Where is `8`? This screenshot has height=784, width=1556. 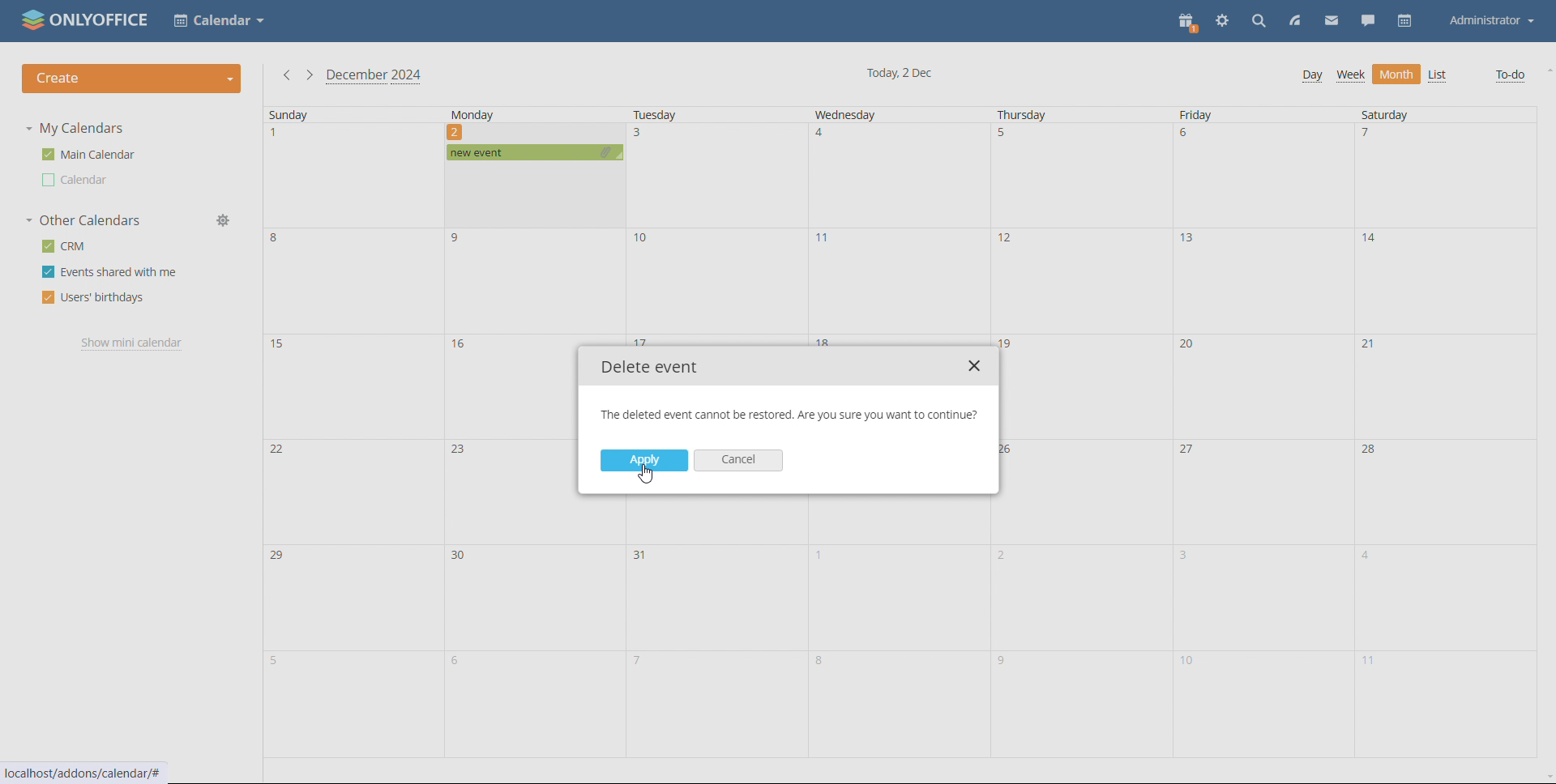 8 is located at coordinates (820, 662).